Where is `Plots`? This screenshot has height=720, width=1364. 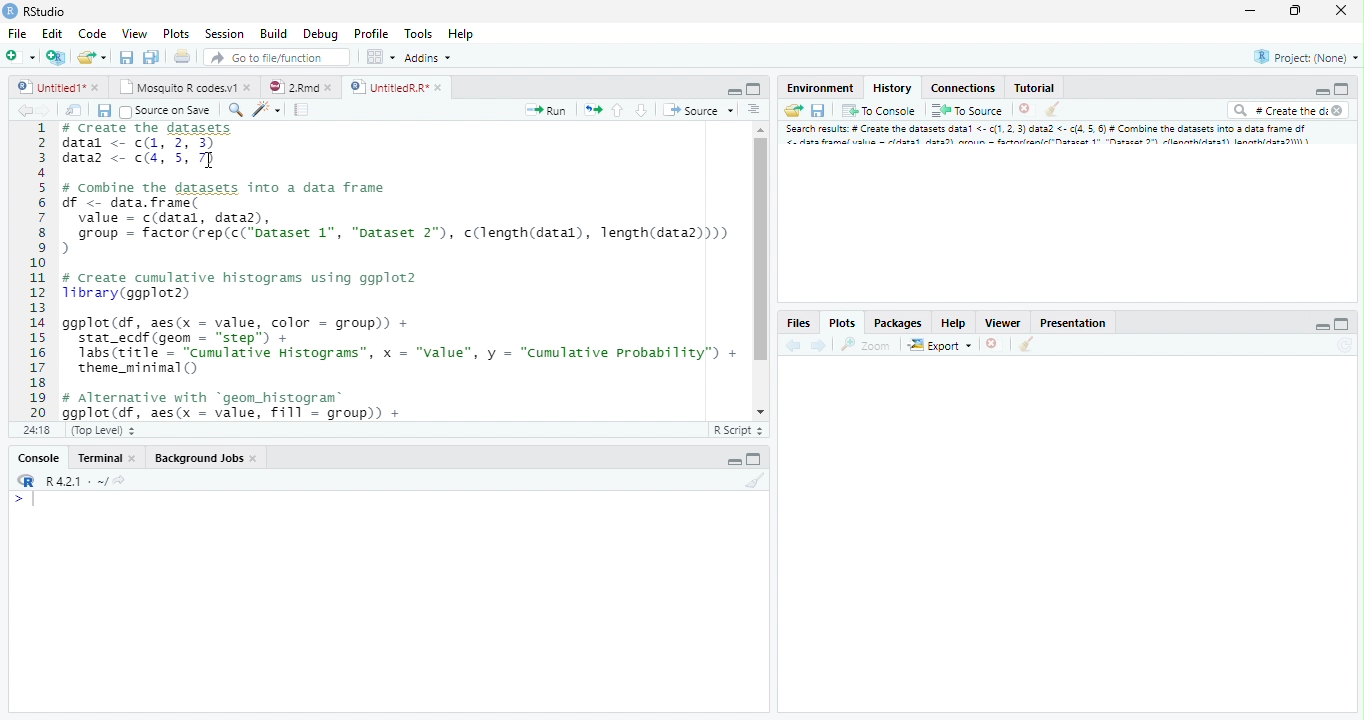 Plots is located at coordinates (176, 35).